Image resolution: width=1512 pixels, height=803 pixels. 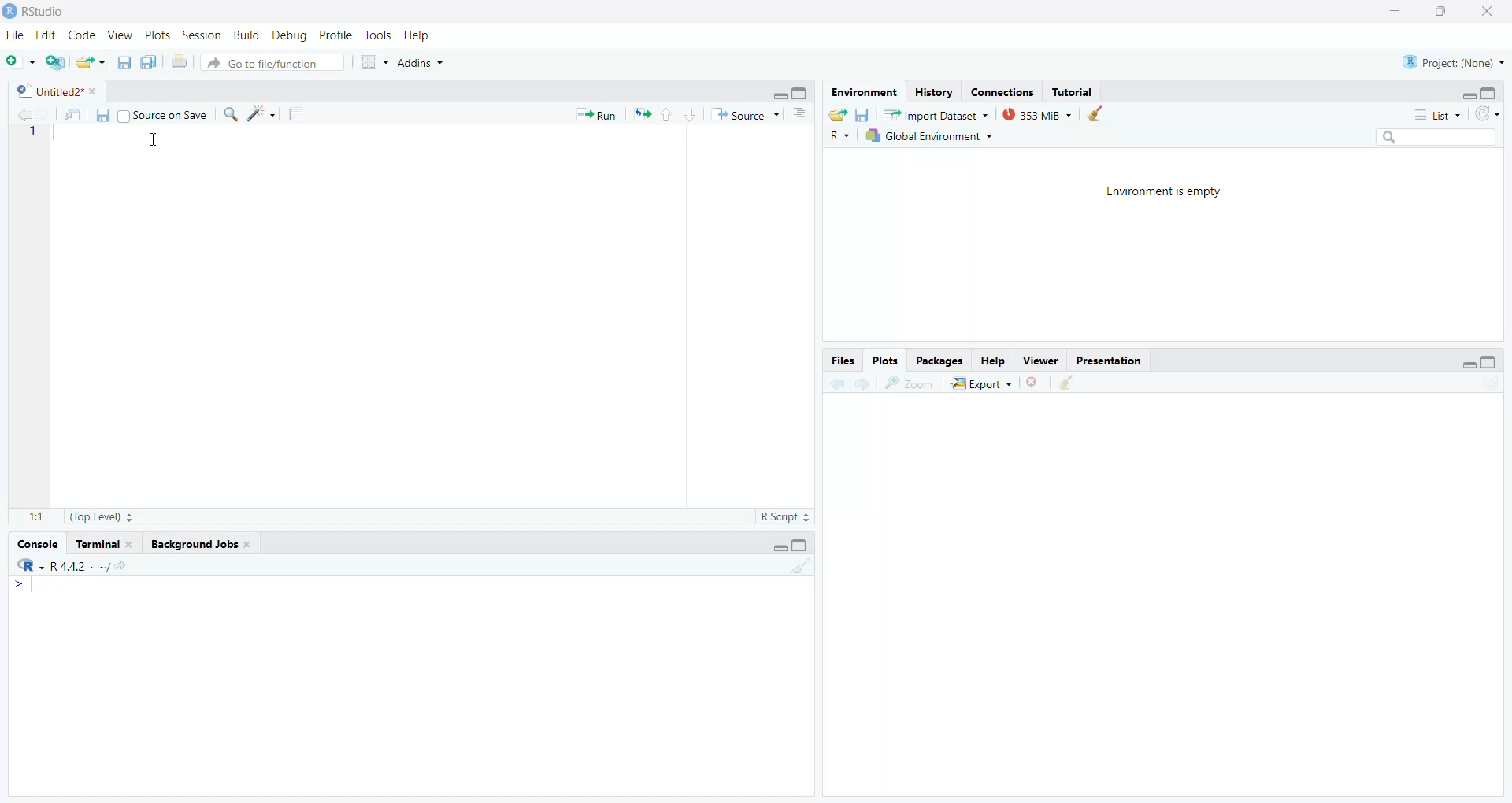 I want to click on zoom, so click(x=908, y=383).